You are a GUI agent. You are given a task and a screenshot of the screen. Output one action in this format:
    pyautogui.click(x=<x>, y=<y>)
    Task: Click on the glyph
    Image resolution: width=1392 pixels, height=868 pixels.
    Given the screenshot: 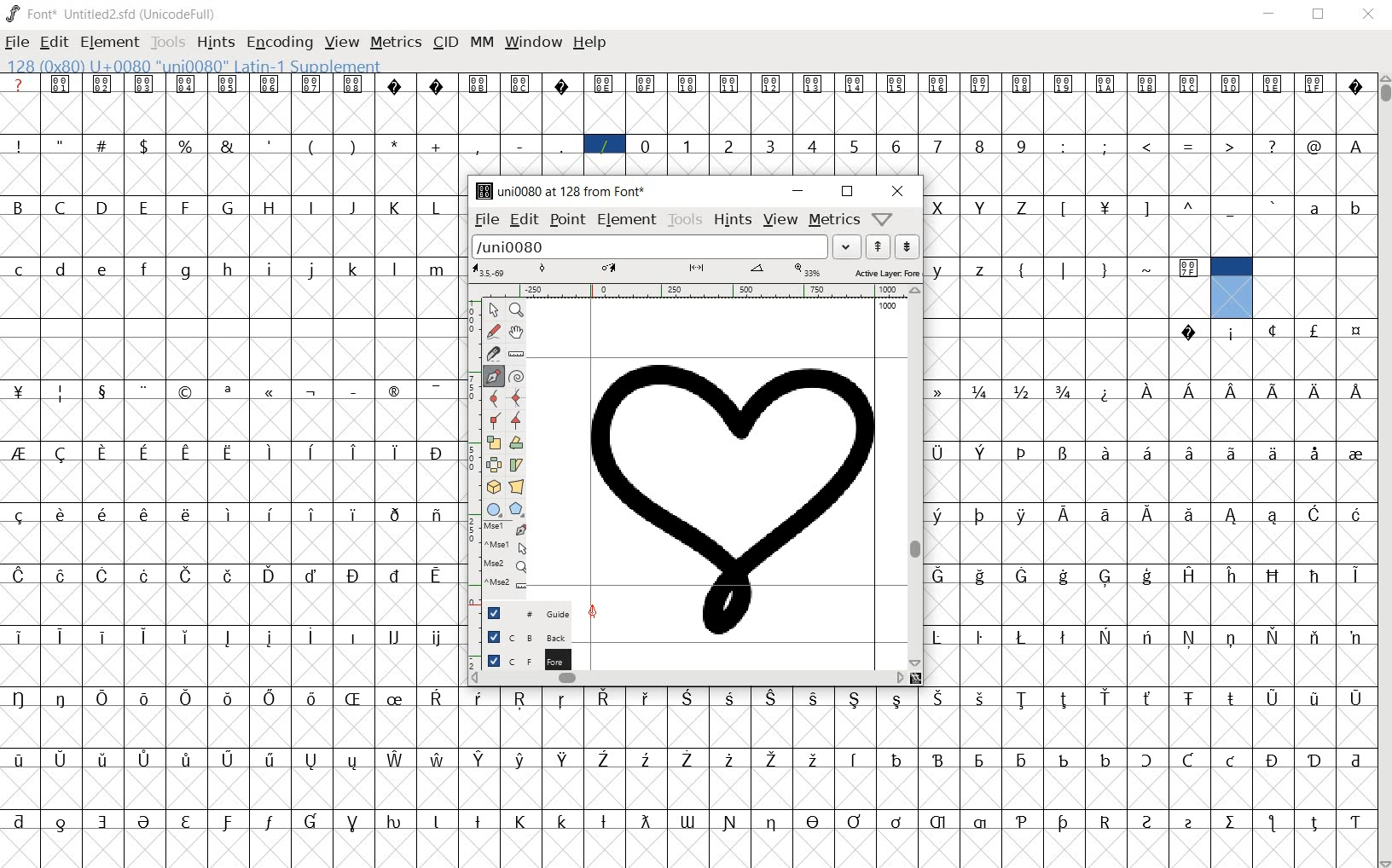 What is the action you would take?
    pyautogui.click(x=1021, y=576)
    